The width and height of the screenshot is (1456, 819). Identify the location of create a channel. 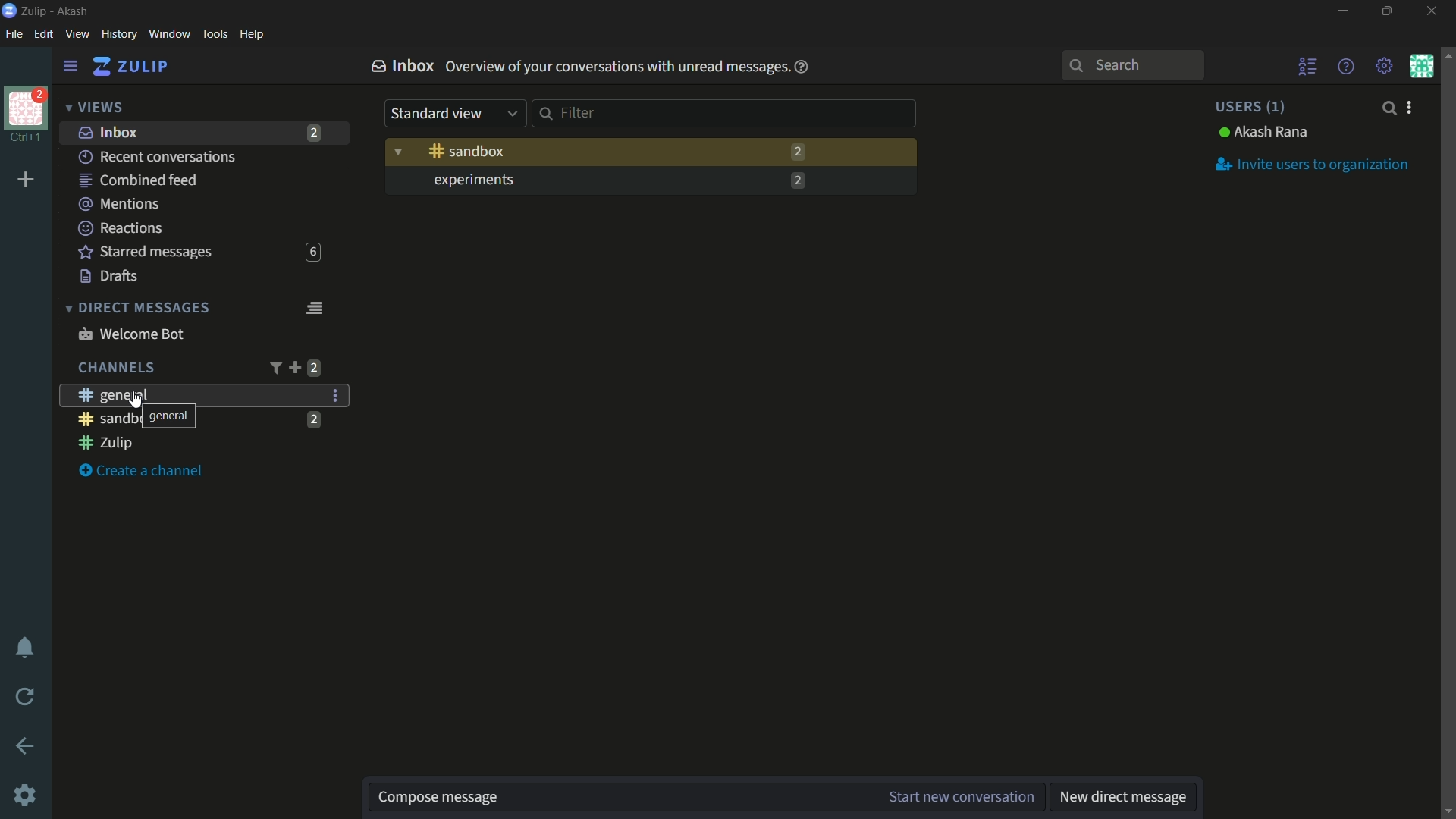
(142, 472).